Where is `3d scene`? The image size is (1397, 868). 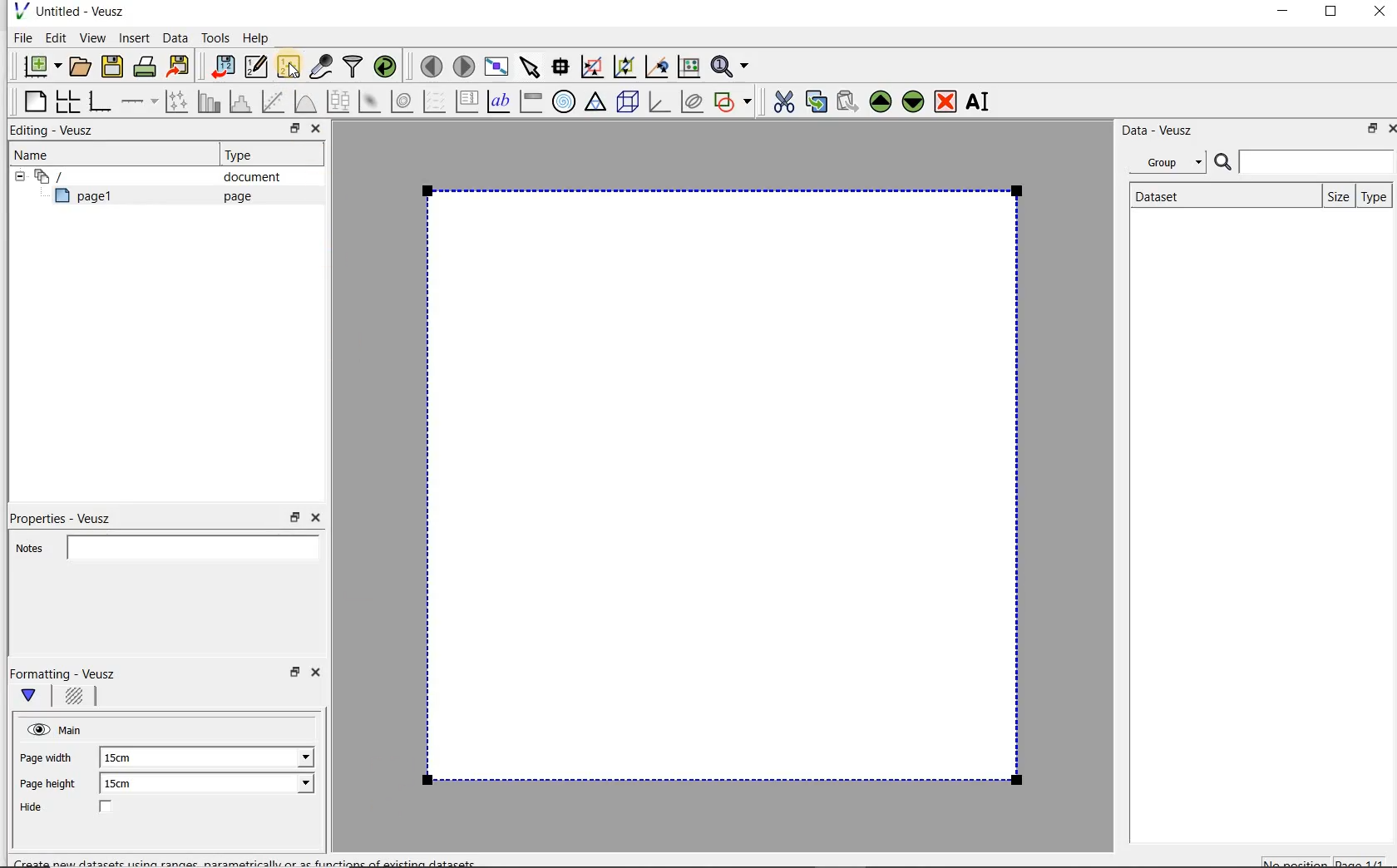
3d scene is located at coordinates (629, 103).